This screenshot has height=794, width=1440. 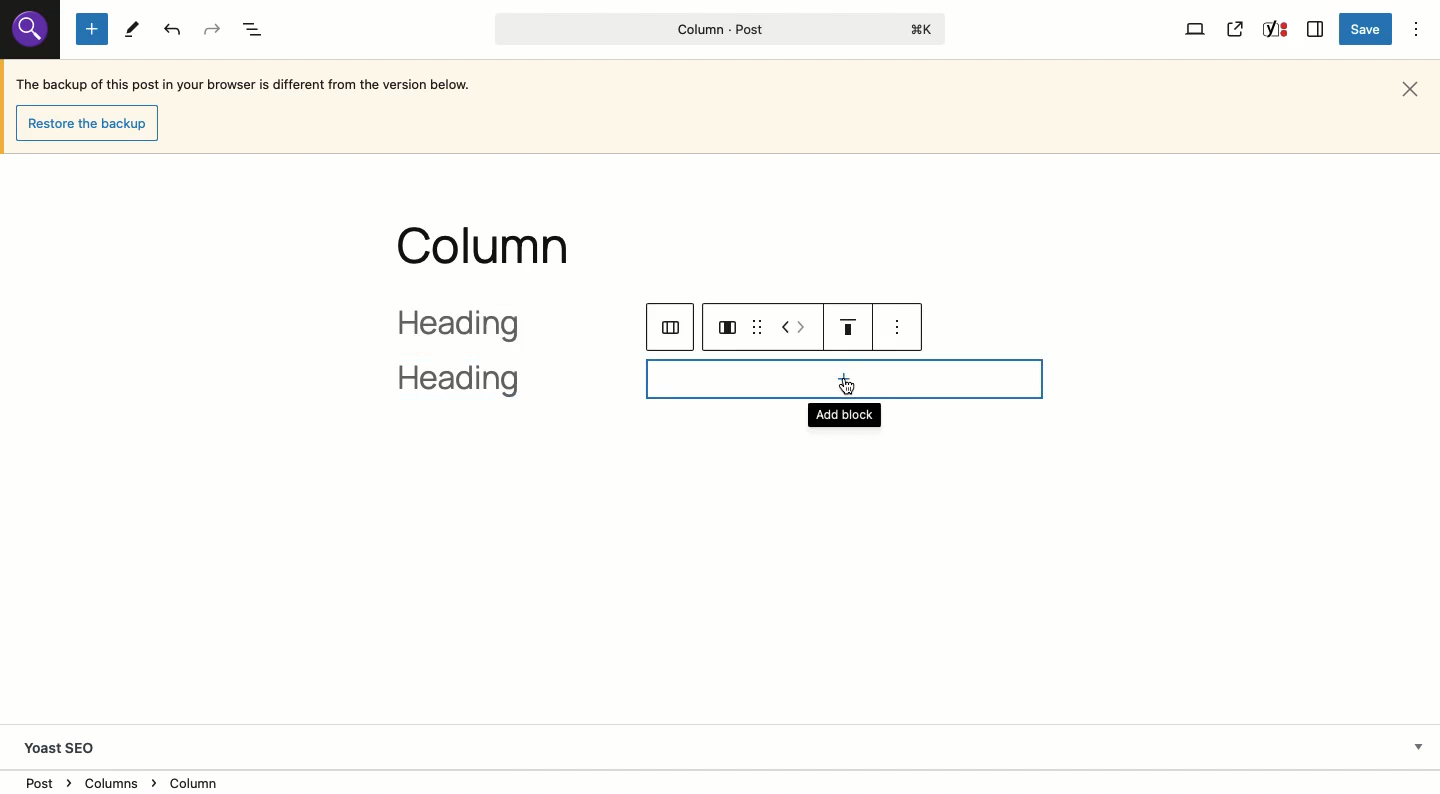 I want to click on Close, so click(x=1414, y=87).